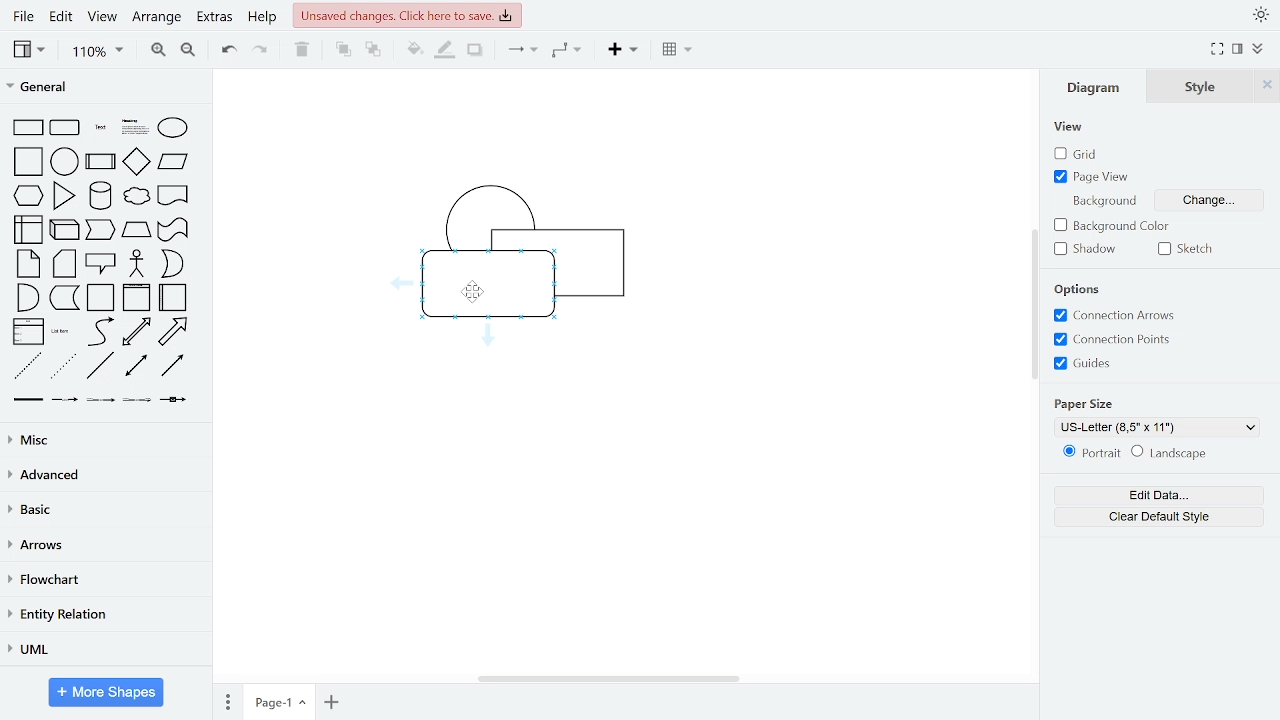  Describe the element at coordinates (1093, 89) in the screenshot. I see `diagram` at that location.